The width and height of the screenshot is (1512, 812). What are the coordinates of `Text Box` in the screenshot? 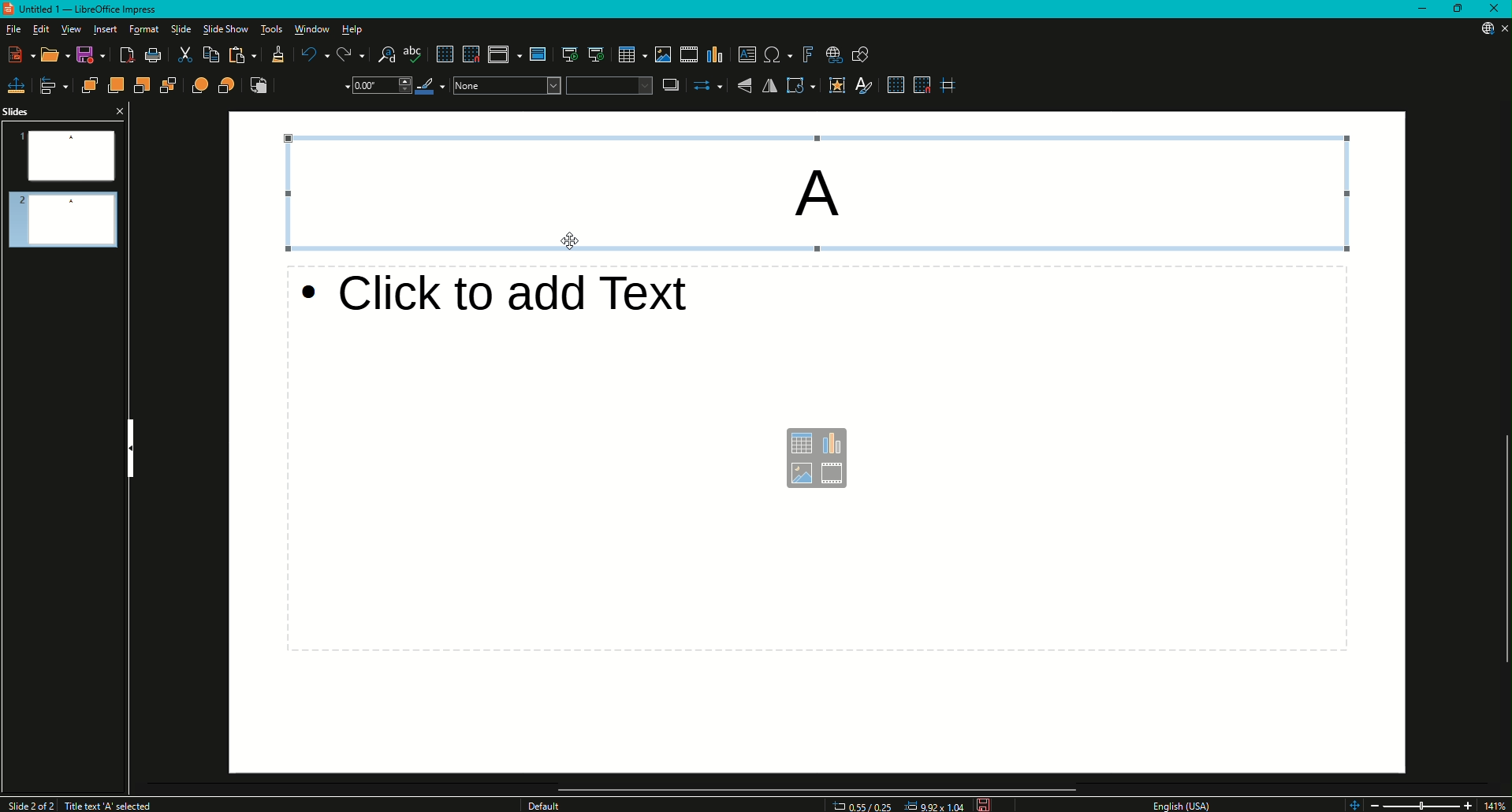 It's located at (826, 196).